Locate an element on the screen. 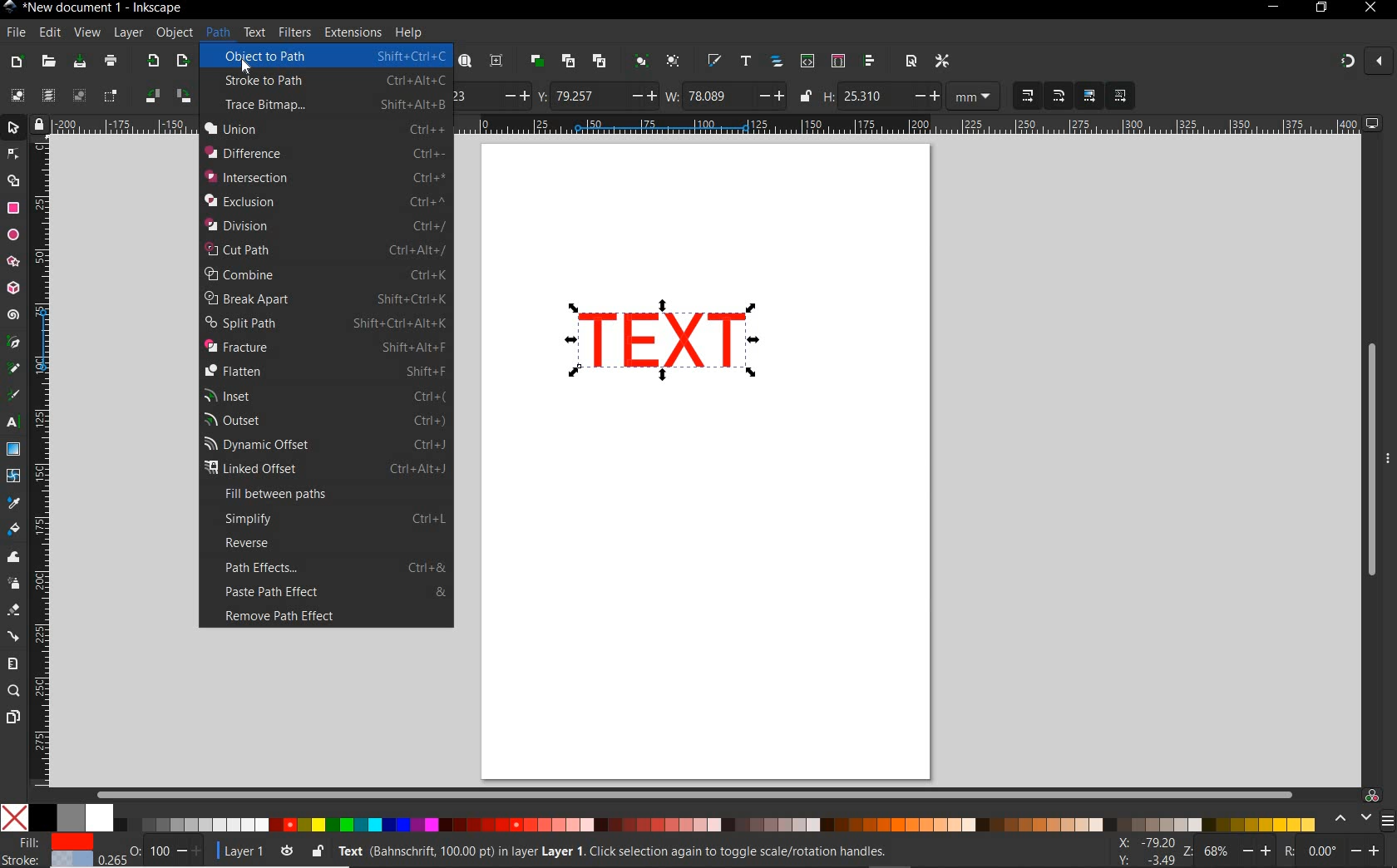 The width and height of the screenshot is (1397, 868). OPEN FILE DIALOG is located at coordinates (48, 62).